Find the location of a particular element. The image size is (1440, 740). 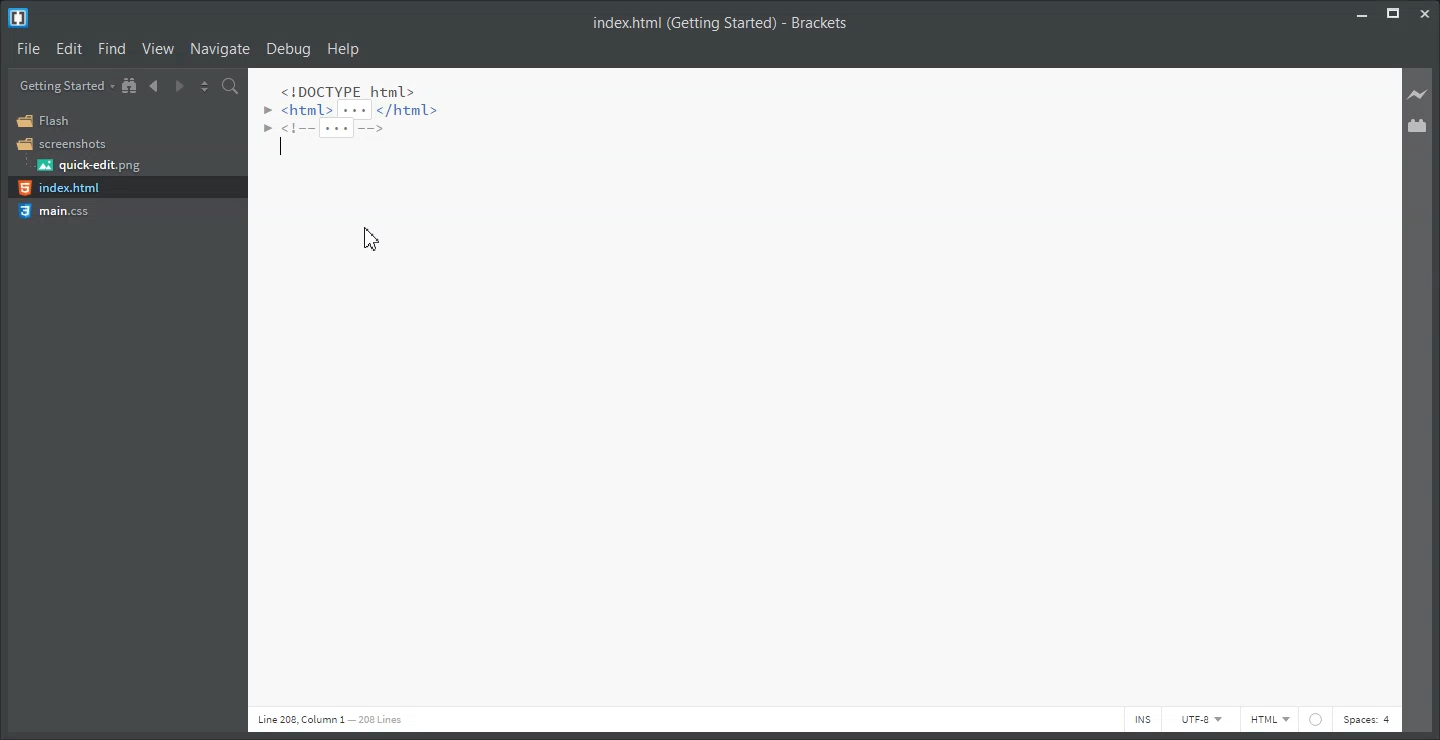

Edit is located at coordinates (70, 48).